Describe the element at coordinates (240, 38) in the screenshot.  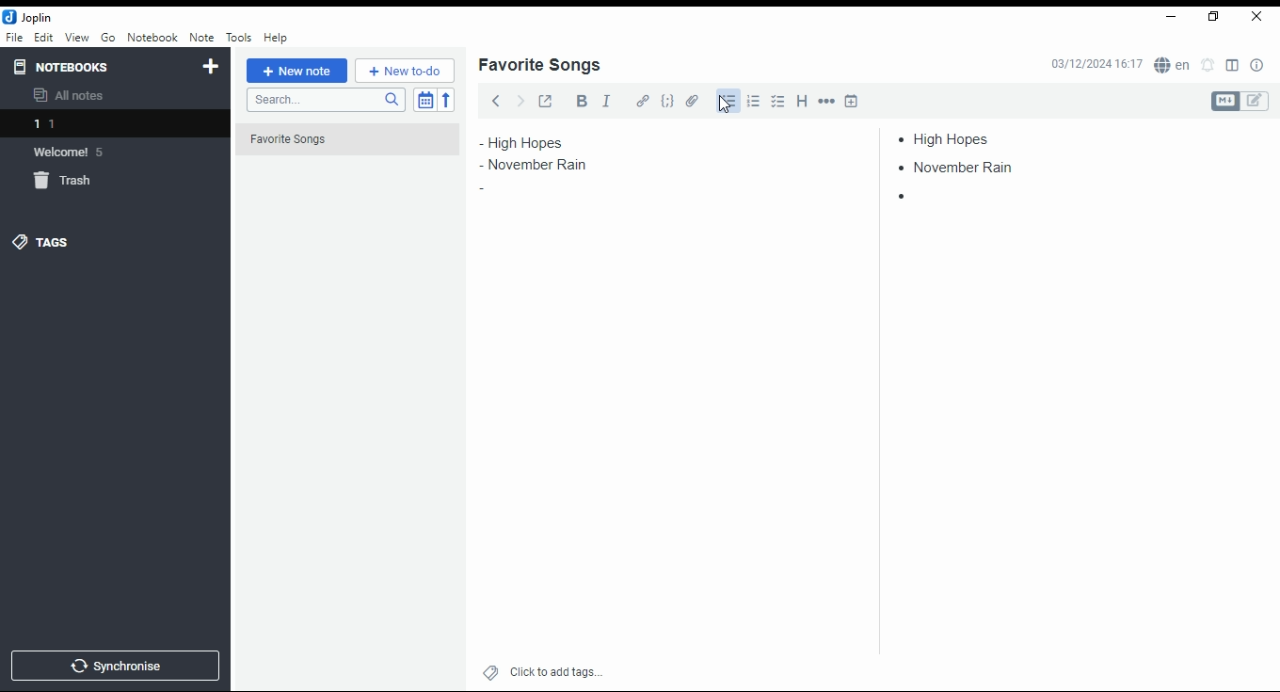
I see `tools` at that location.